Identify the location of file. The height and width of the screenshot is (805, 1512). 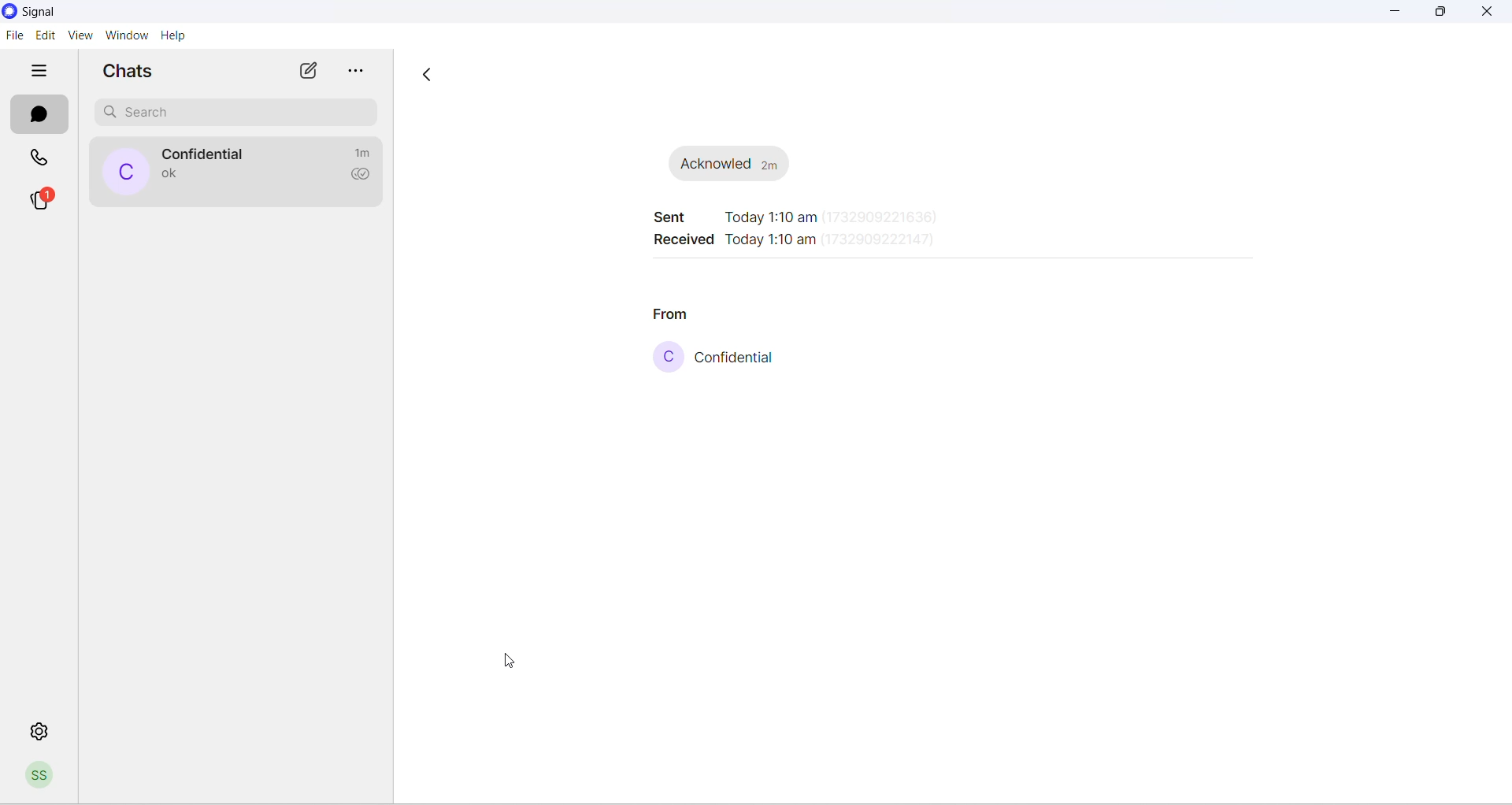
(13, 34).